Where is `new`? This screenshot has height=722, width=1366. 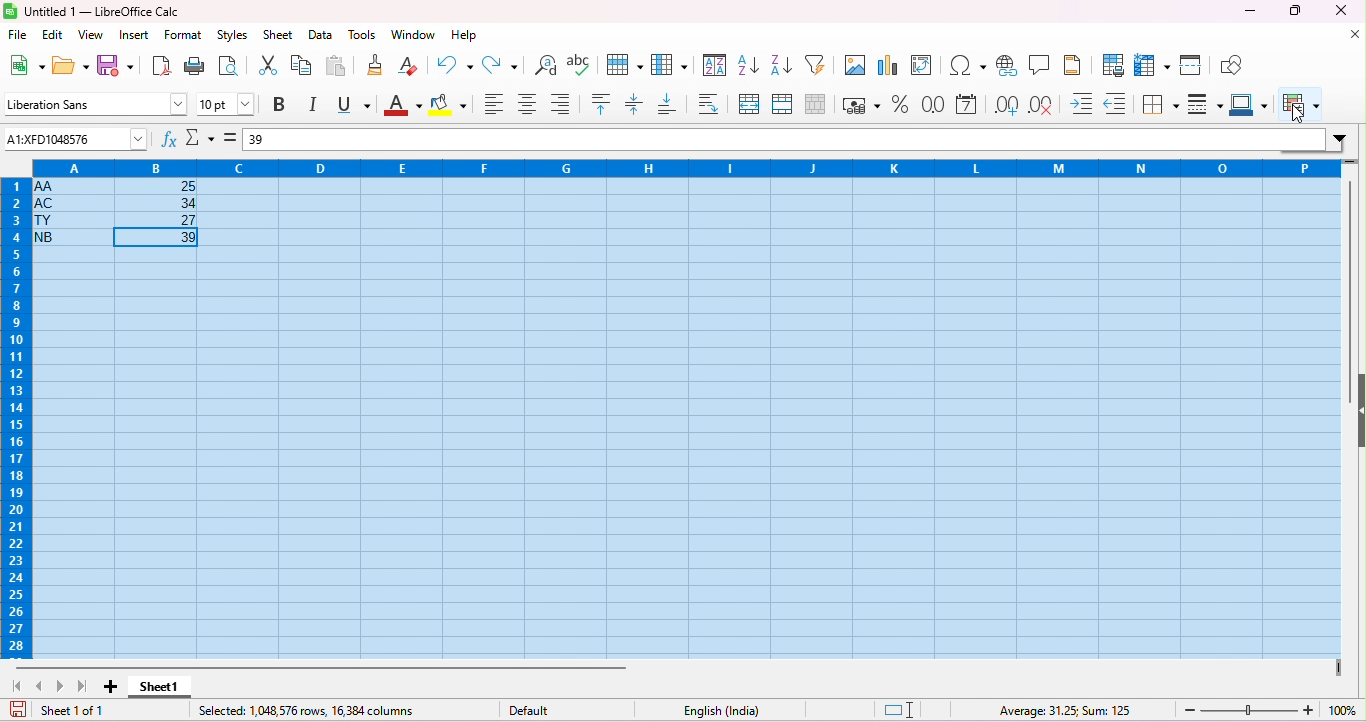 new is located at coordinates (26, 64).